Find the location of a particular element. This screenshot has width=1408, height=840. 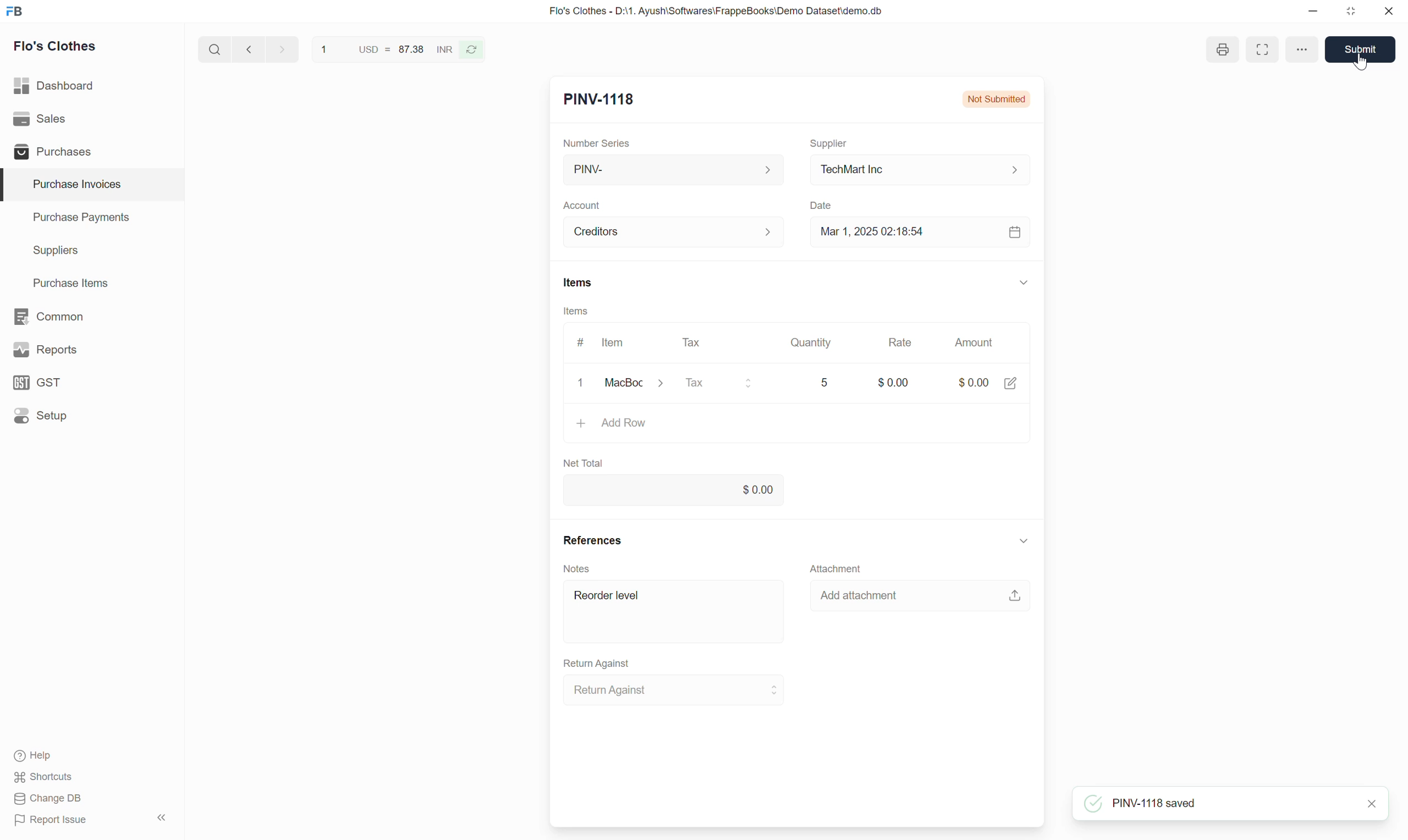

Date is located at coordinates (822, 206).